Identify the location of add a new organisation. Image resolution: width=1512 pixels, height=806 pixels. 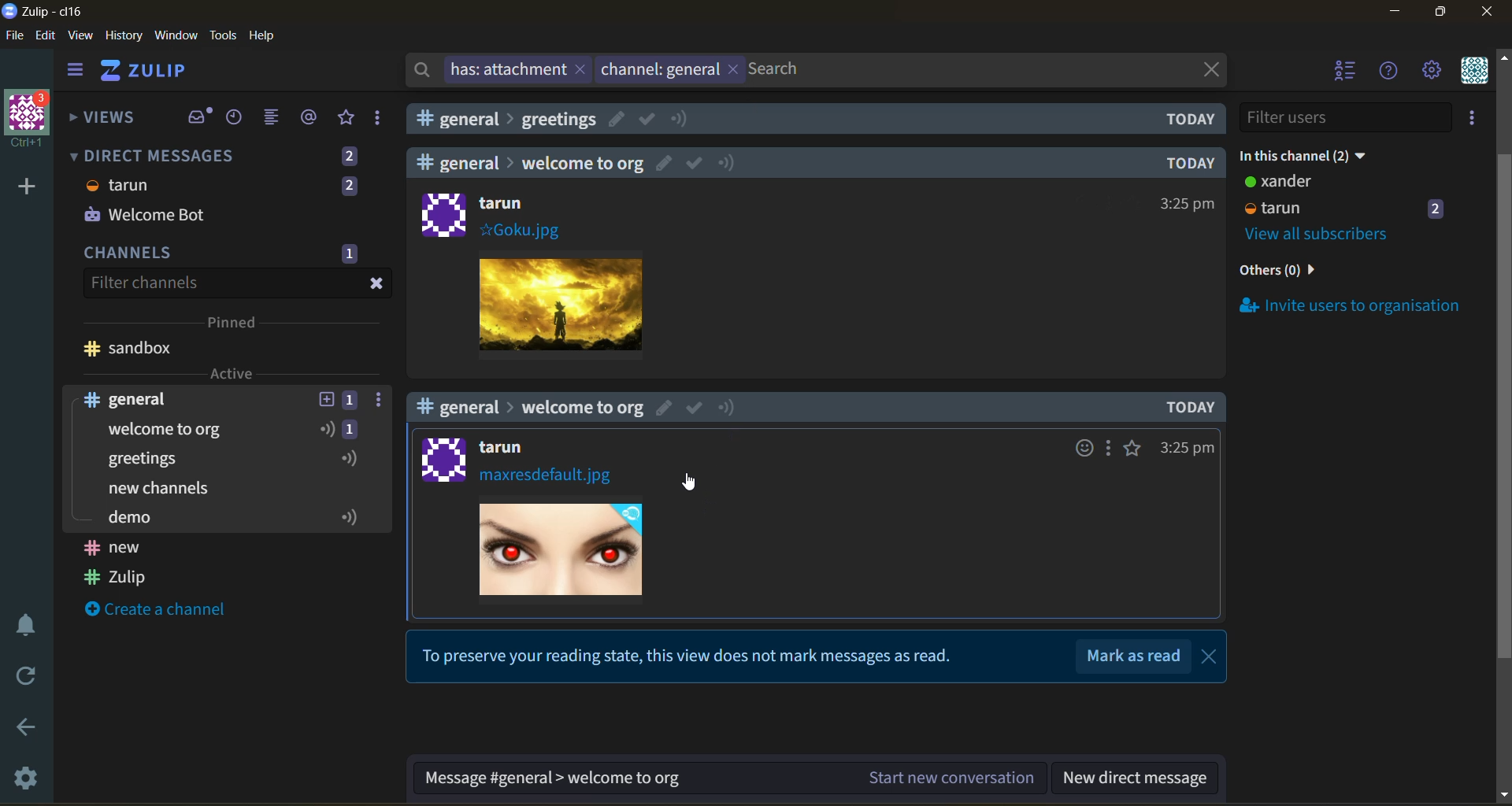
(28, 186).